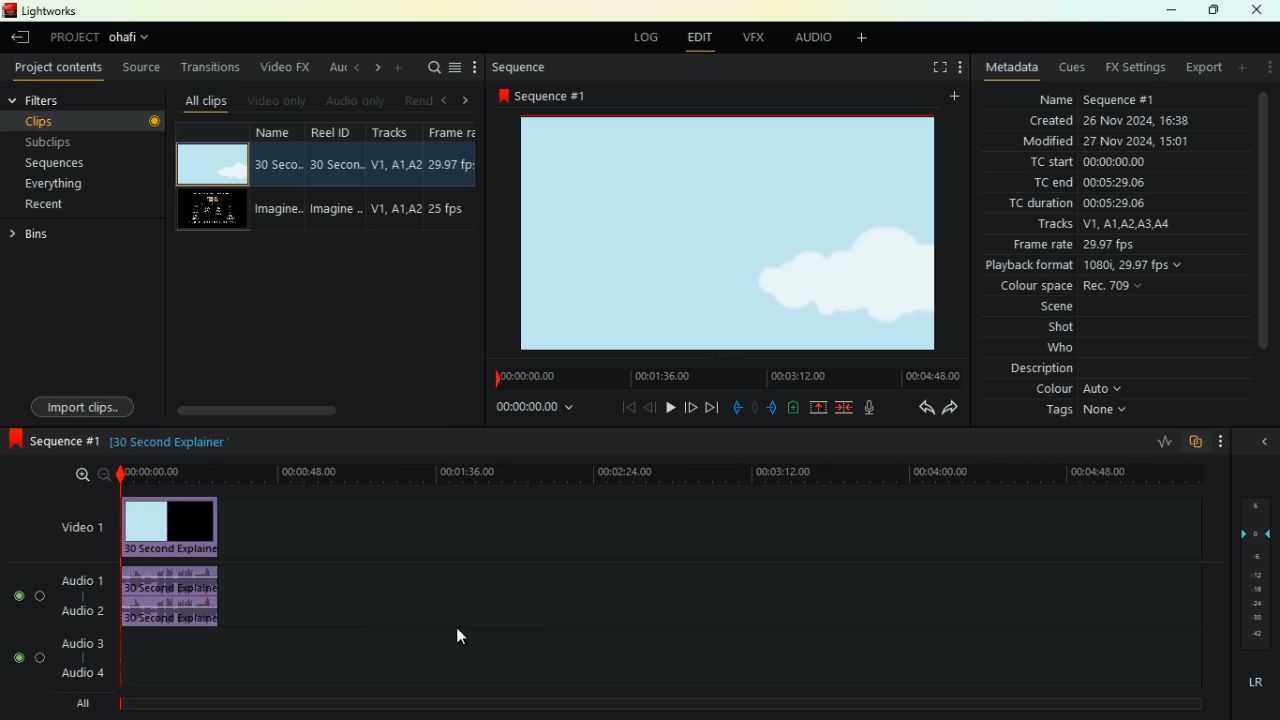 The height and width of the screenshot is (720, 1280). What do you see at coordinates (1112, 140) in the screenshot?
I see `modified 27 nov 2024, 15:01` at bounding box center [1112, 140].